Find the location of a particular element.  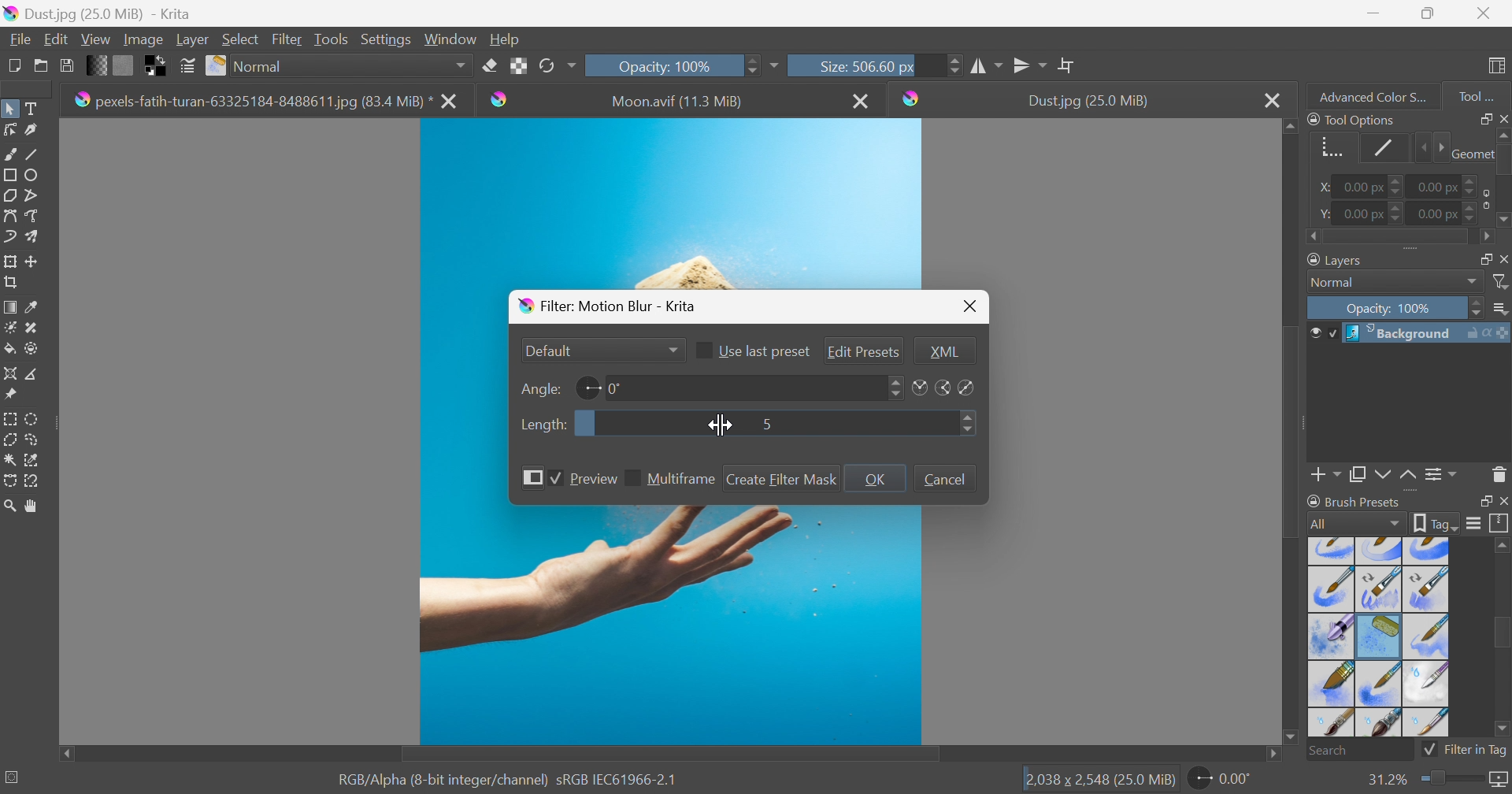

Help is located at coordinates (506, 39).